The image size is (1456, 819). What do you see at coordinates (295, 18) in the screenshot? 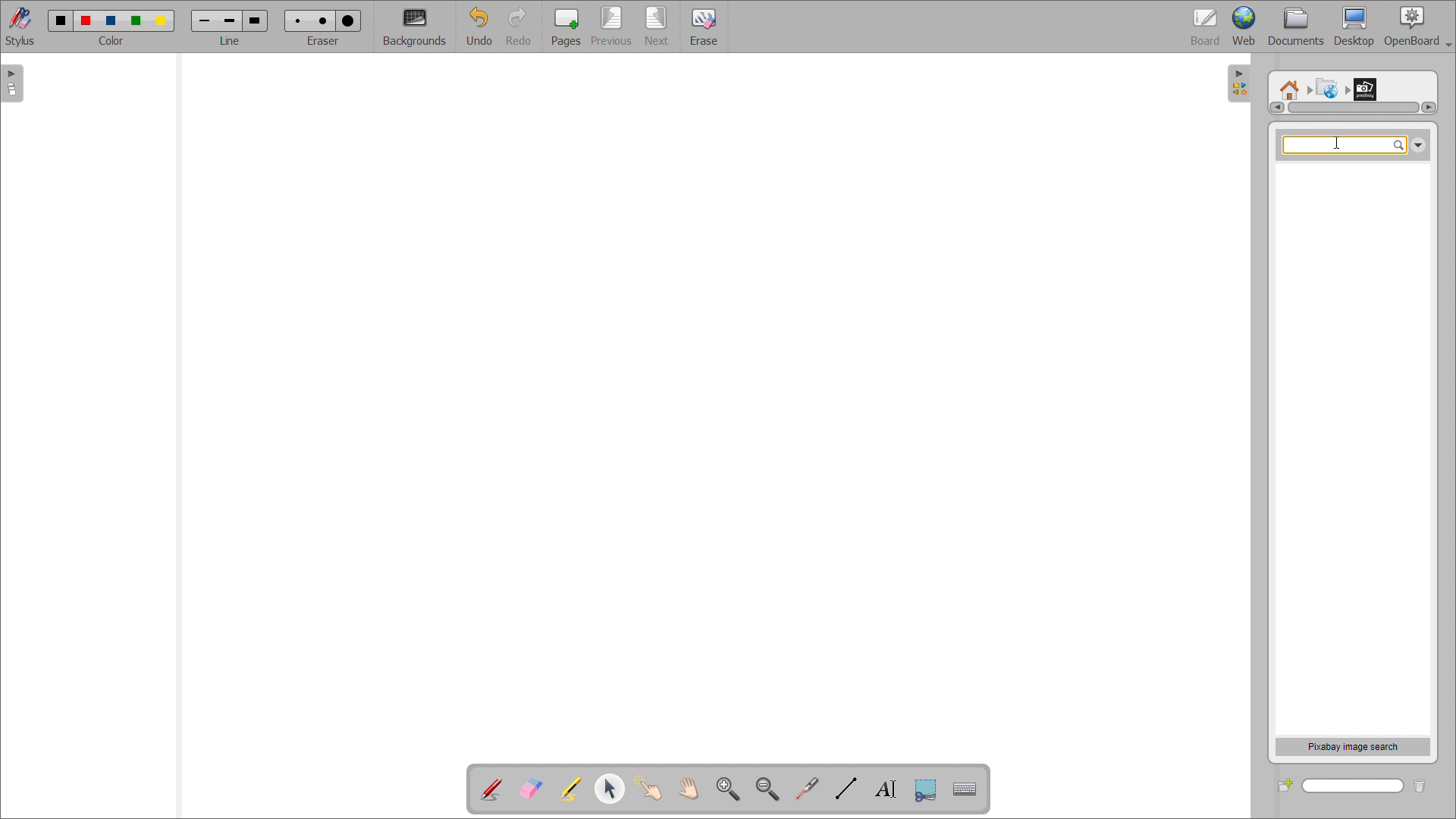
I see `Small erase` at bounding box center [295, 18].